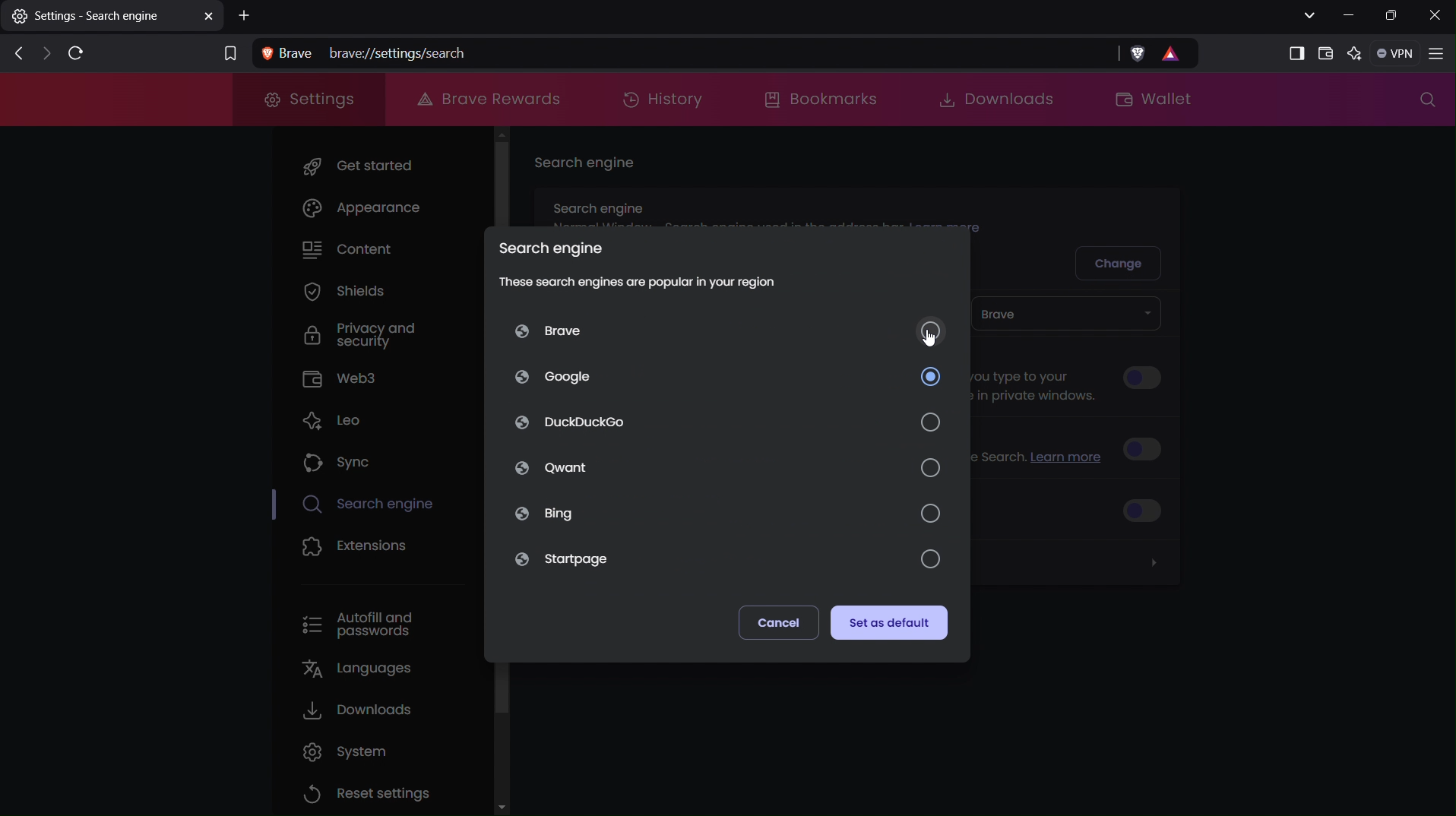 The height and width of the screenshot is (816, 1456). What do you see at coordinates (308, 100) in the screenshot?
I see `Settings` at bounding box center [308, 100].